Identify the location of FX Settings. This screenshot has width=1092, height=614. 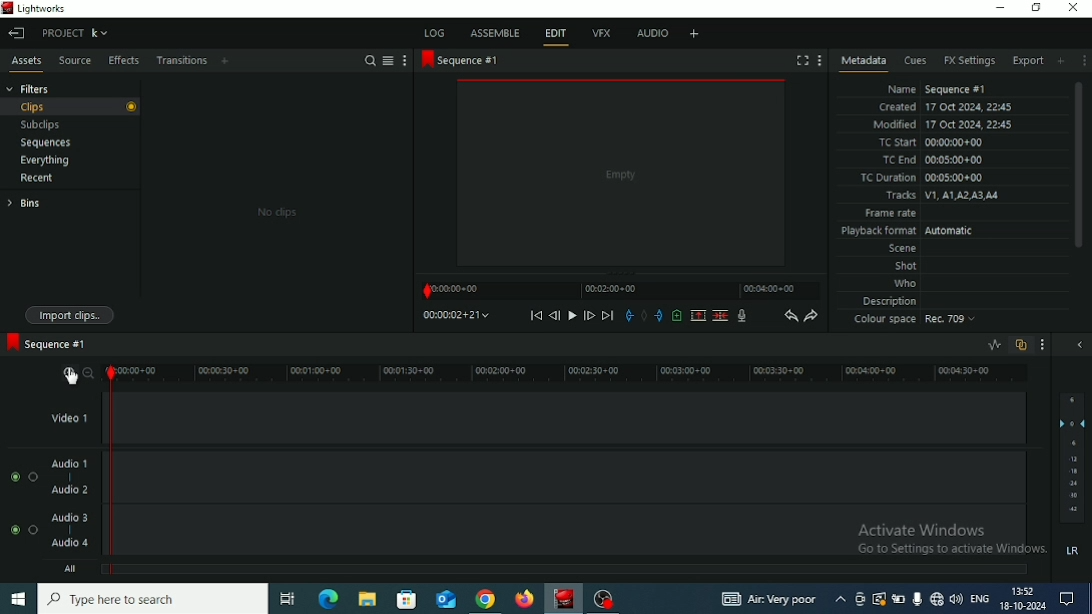
(969, 61).